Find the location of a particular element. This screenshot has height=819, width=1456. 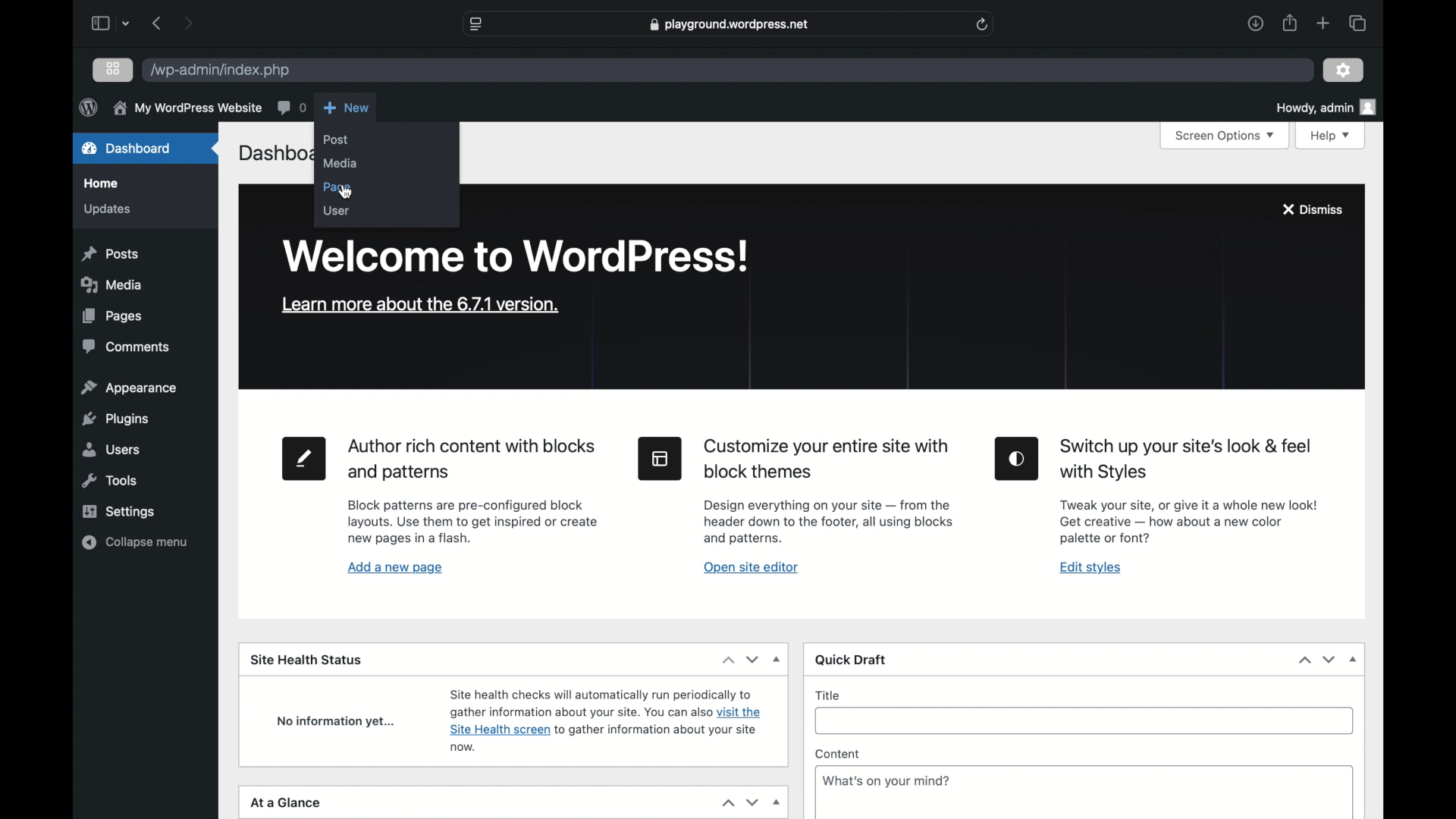

settings is located at coordinates (1344, 71).